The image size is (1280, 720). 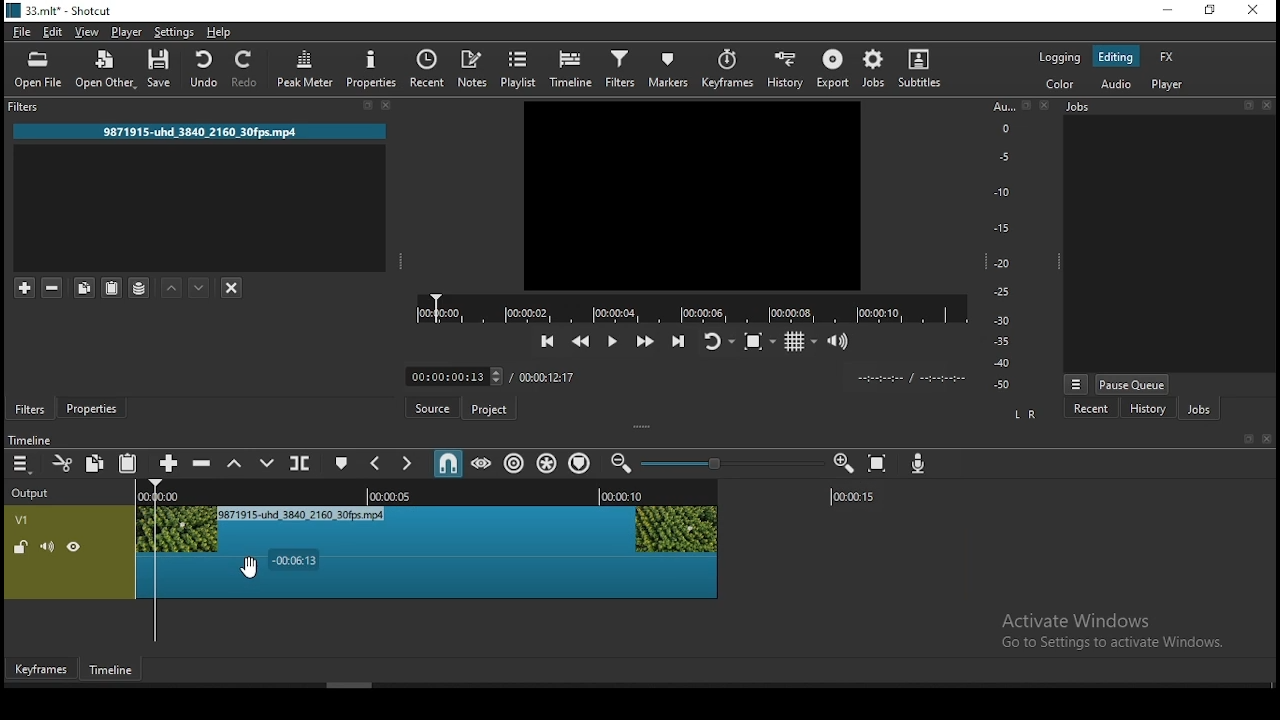 What do you see at coordinates (515, 68) in the screenshot?
I see `playlist` at bounding box center [515, 68].